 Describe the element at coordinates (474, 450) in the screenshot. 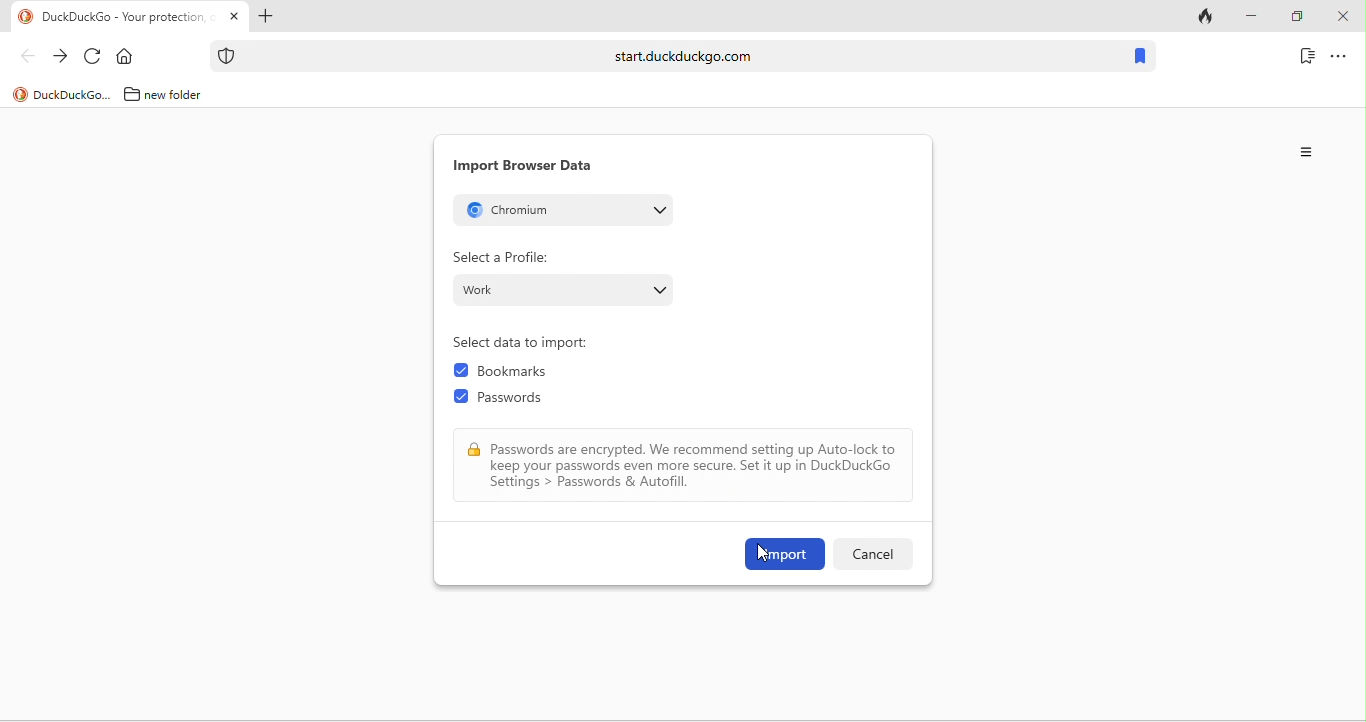

I see `Lock icon` at that location.